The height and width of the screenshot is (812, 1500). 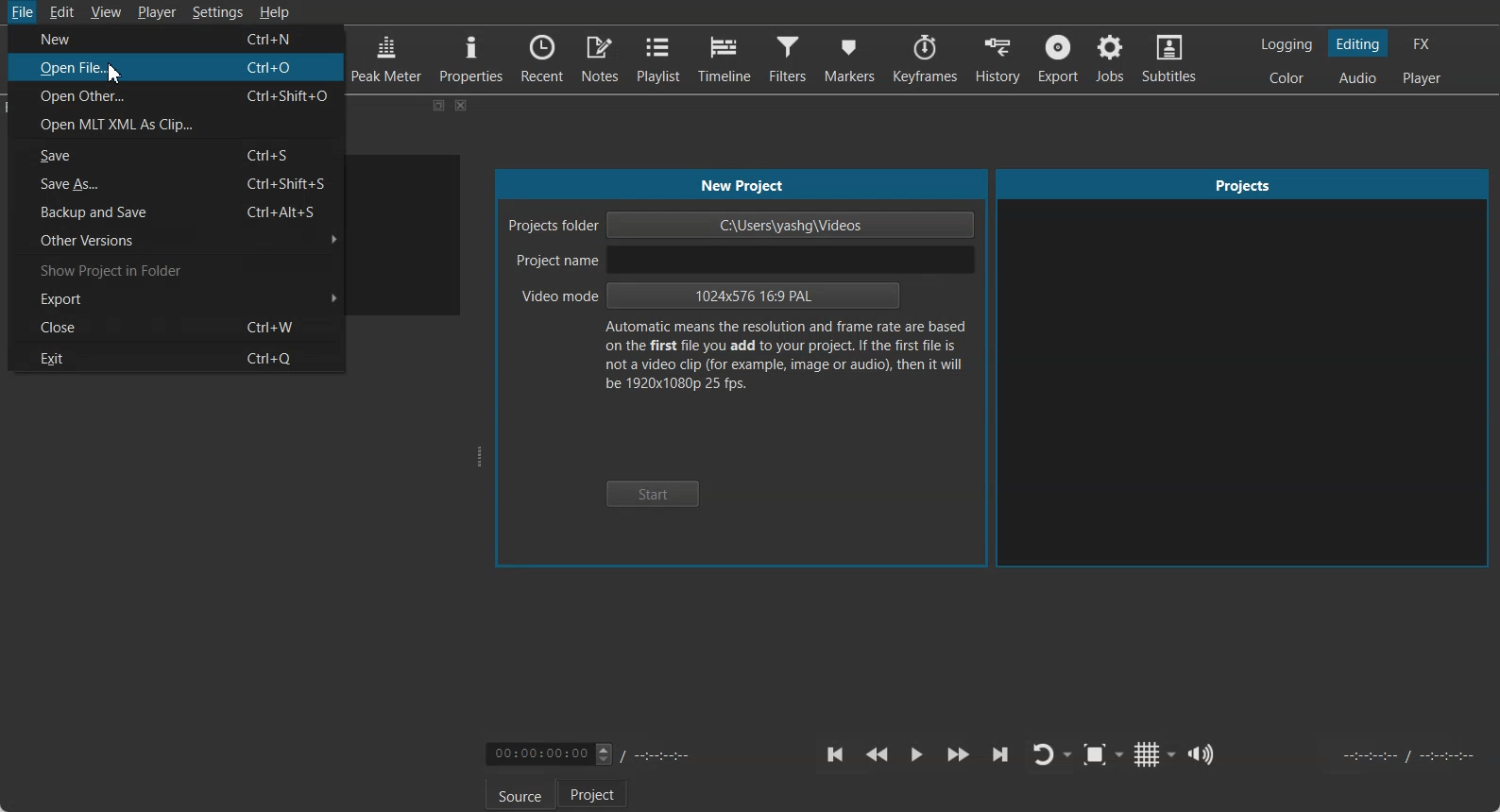 What do you see at coordinates (176, 357) in the screenshot?
I see `Exit` at bounding box center [176, 357].